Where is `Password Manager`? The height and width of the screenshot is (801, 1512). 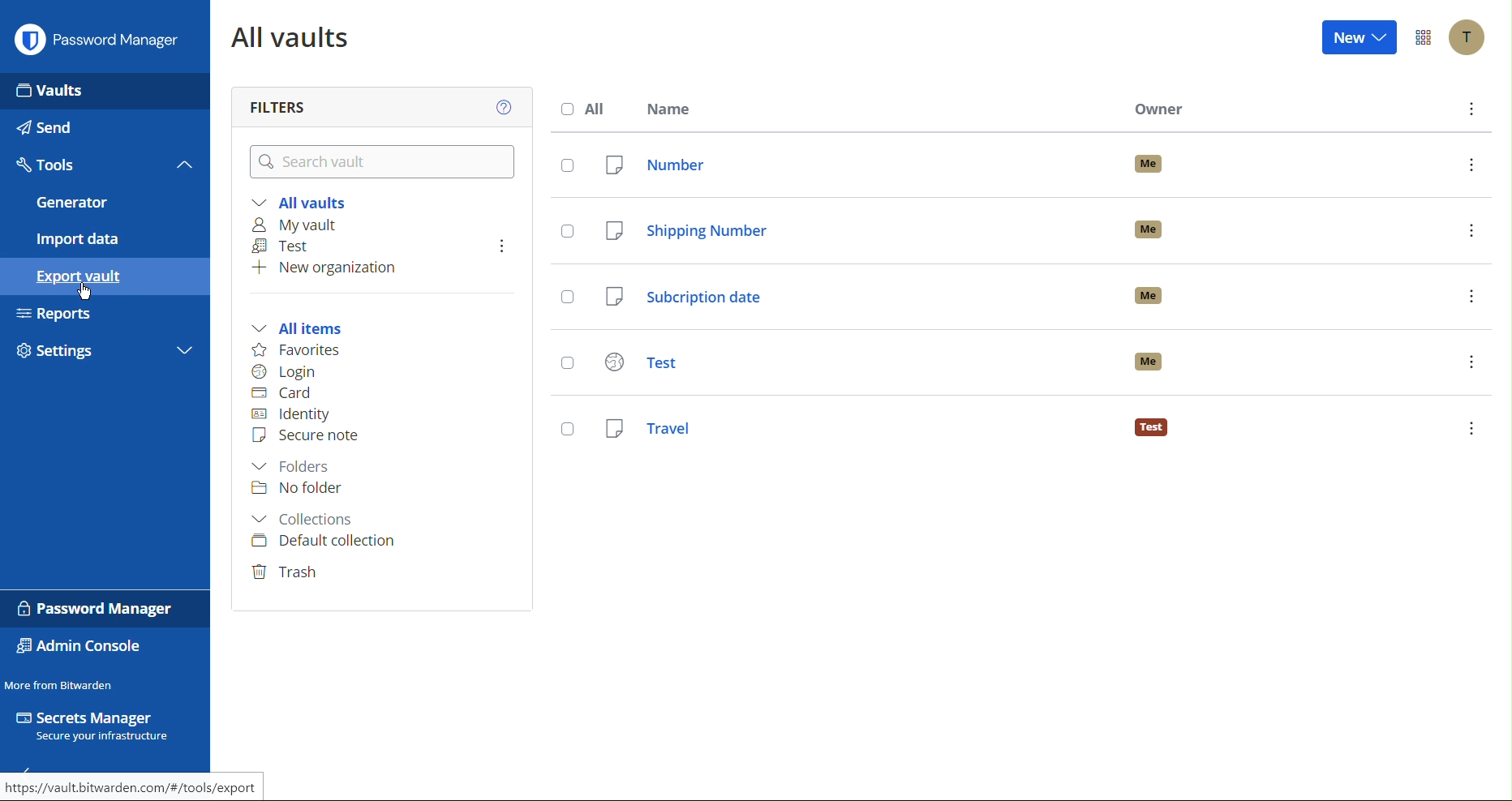 Password Manager is located at coordinates (100, 42).